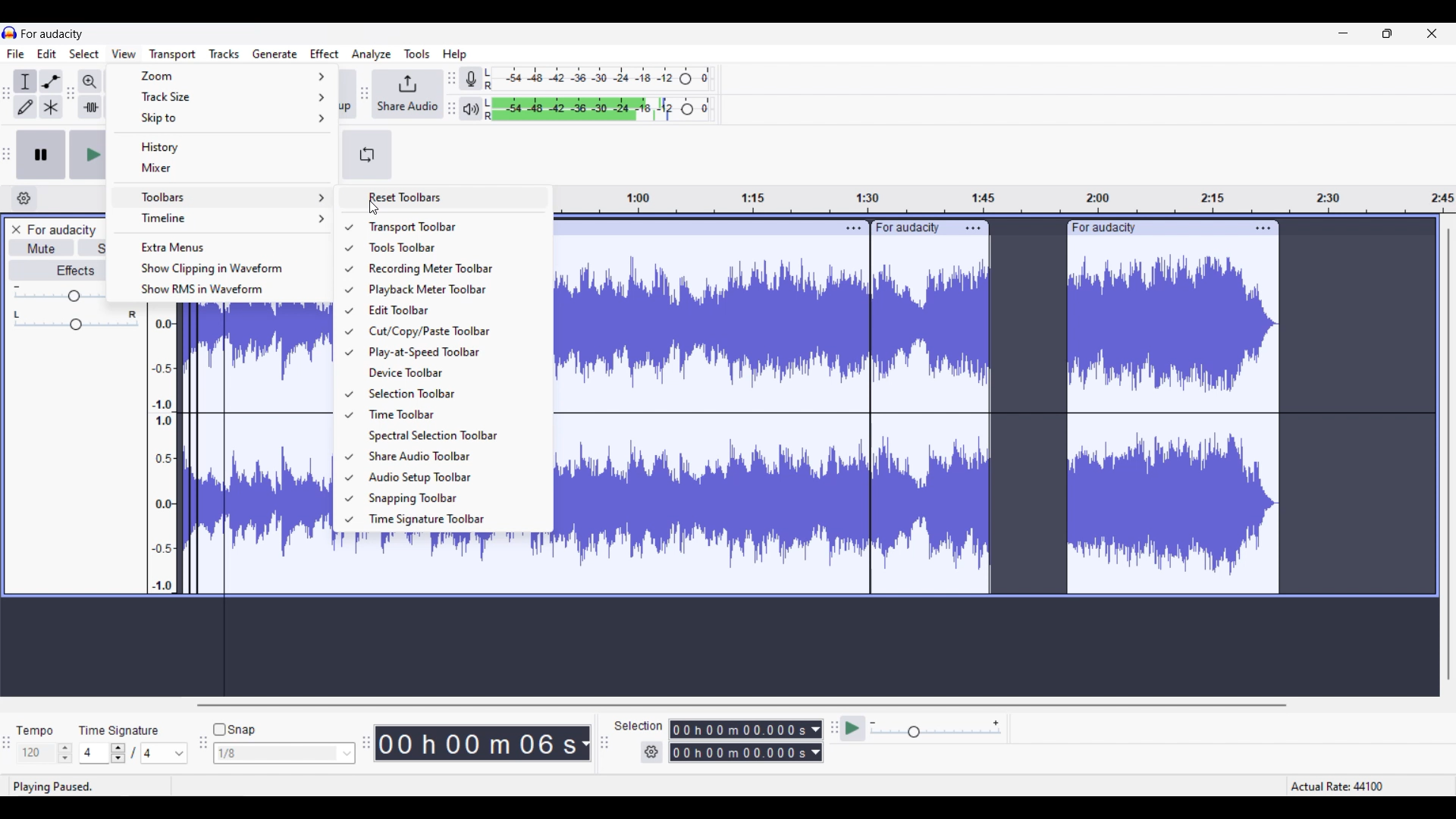 This screenshot has height=819, width=1456. I want to click on Zoom in, so click(89, 82).